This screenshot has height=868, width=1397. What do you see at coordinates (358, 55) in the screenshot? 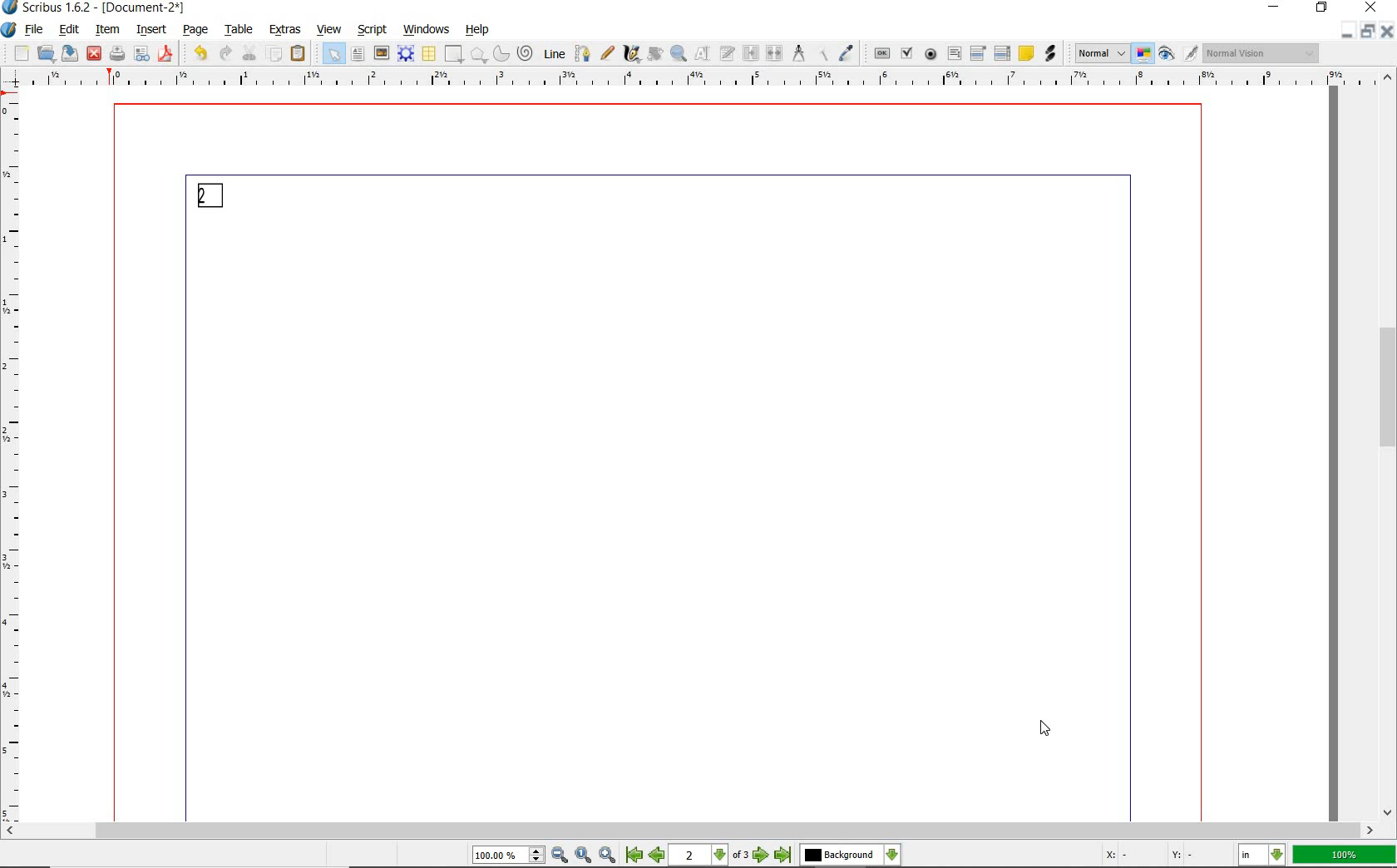
I see `text frame` at bounding box center [358, 55].